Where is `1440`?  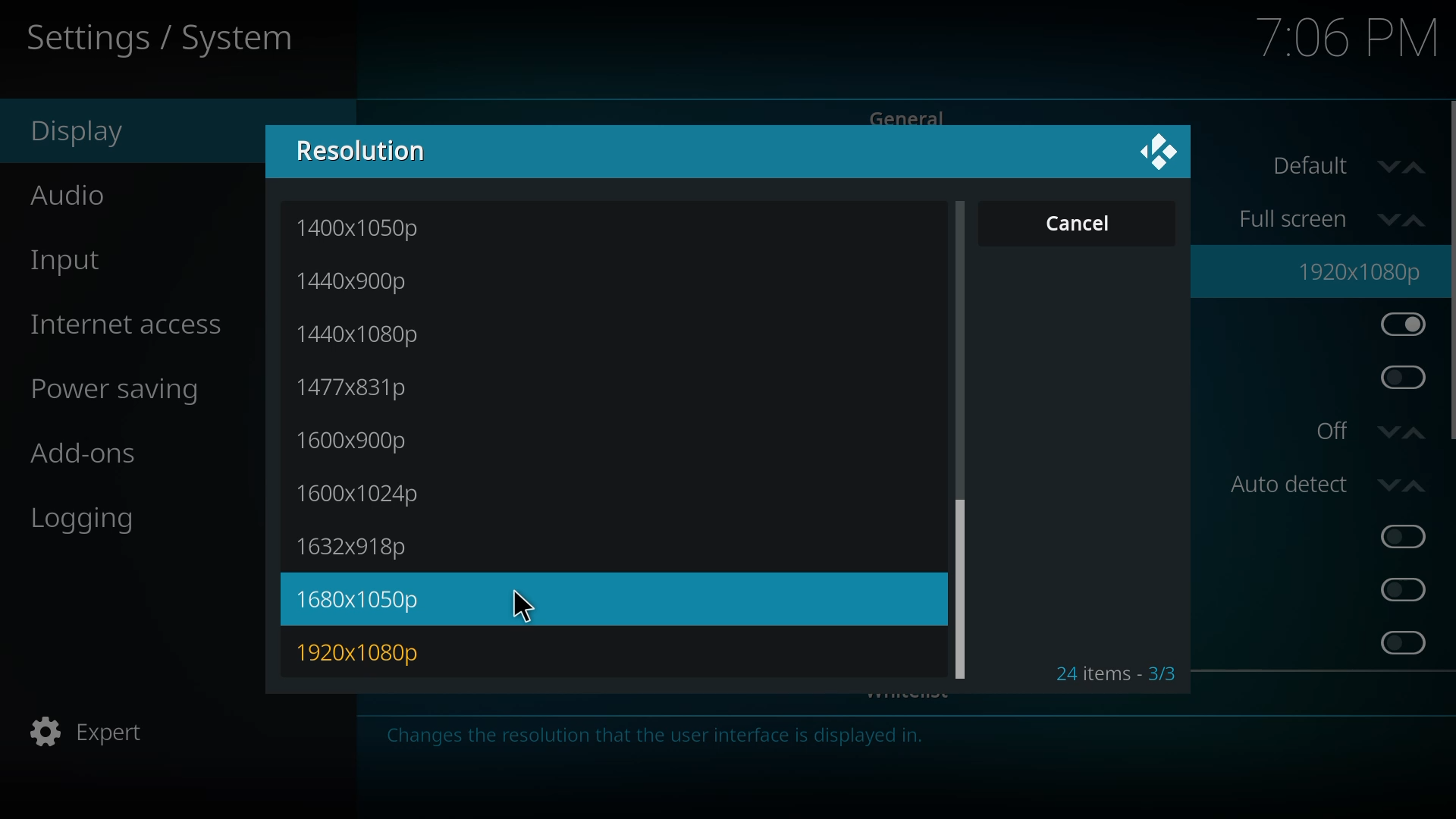 1440 is located at coordinates (357, 281).